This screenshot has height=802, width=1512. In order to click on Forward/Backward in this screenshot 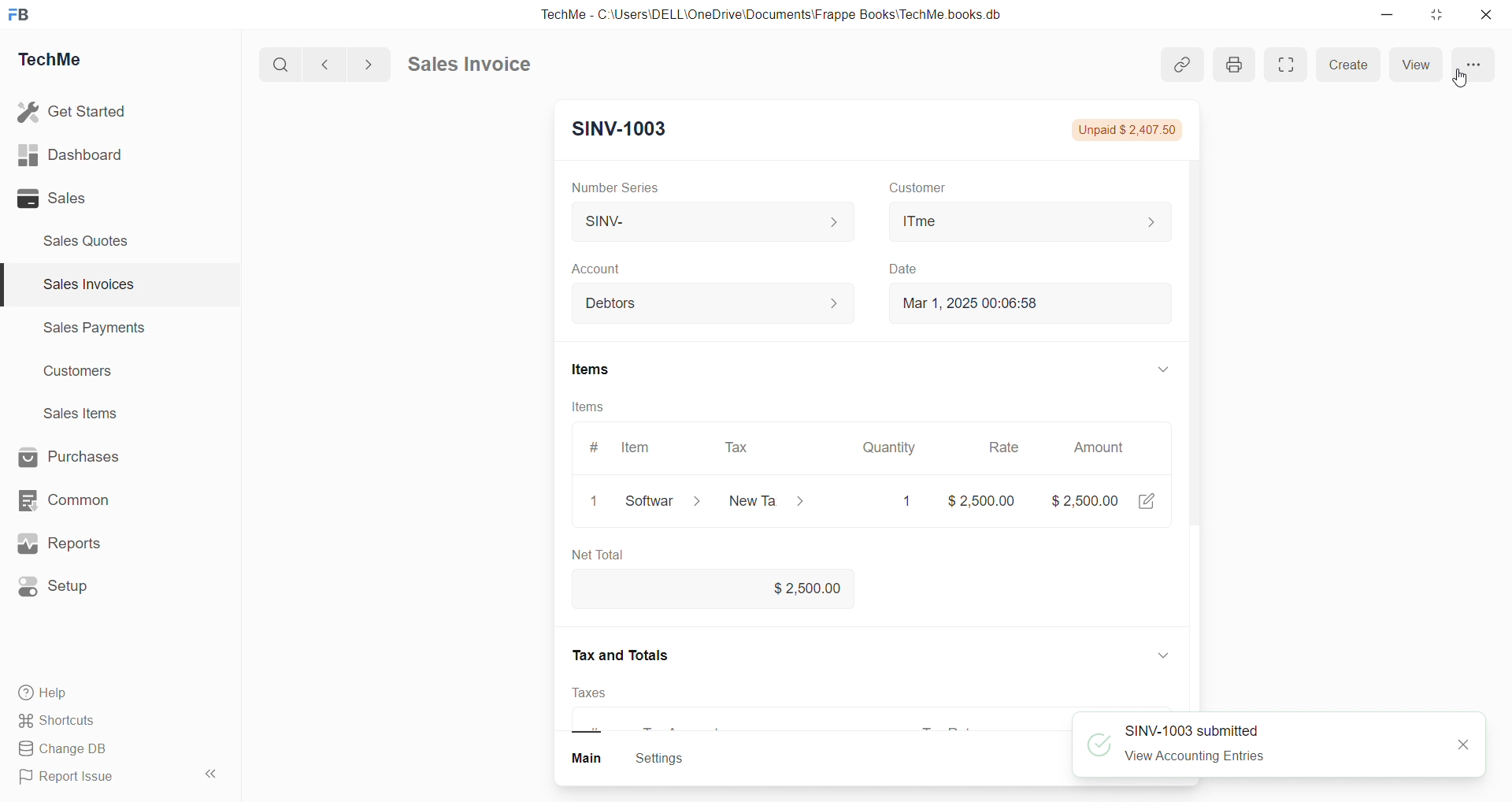, I will do `click(348, 63)`.